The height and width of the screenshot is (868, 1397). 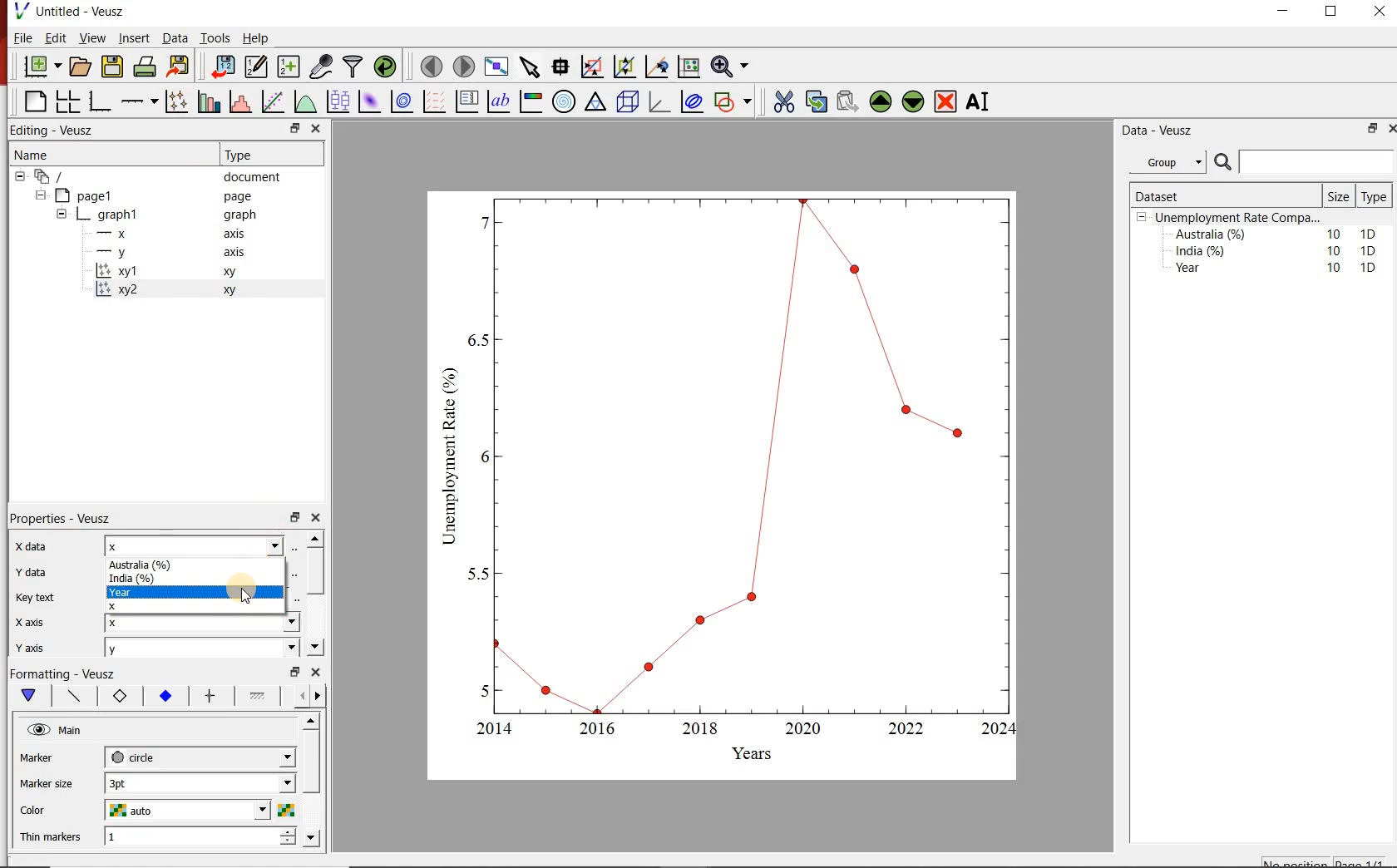 I want to click on search bar, so click(x=1302, y=162).